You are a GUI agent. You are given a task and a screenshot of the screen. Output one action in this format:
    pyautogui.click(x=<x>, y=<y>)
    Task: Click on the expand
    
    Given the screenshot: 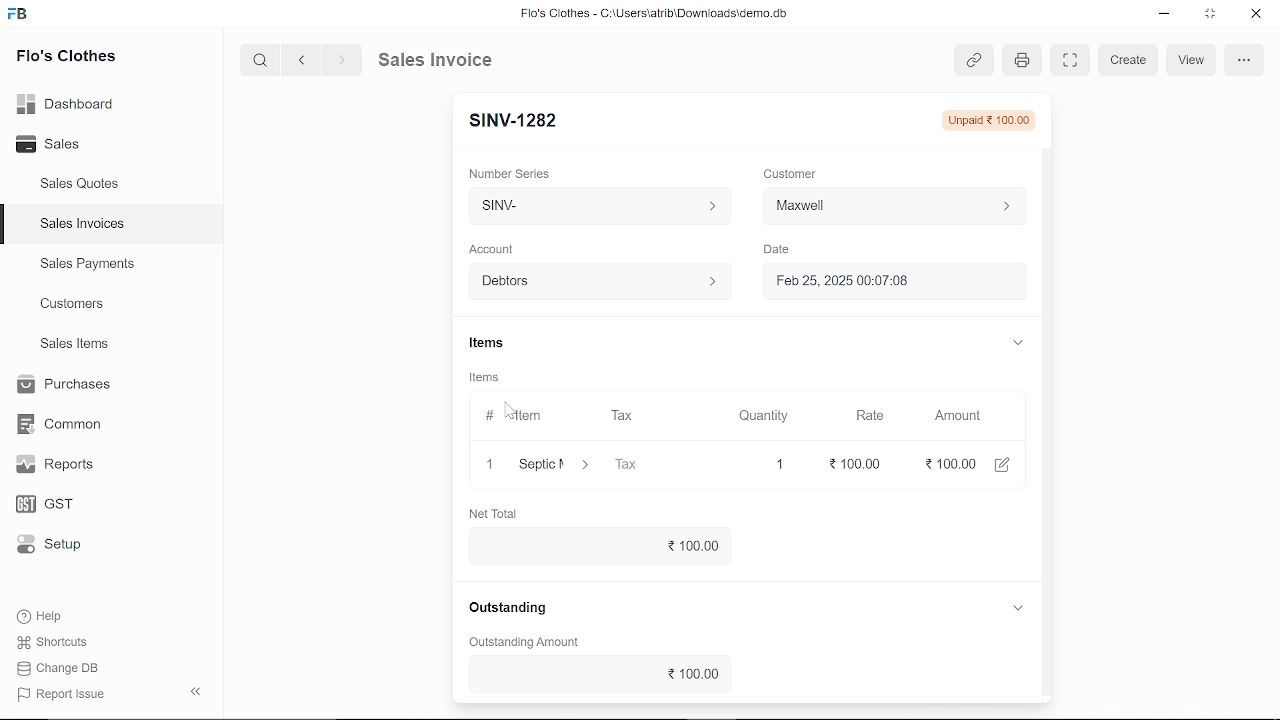 What is the action you would take?
    pyautogui.click(x=1067, y=61)
    